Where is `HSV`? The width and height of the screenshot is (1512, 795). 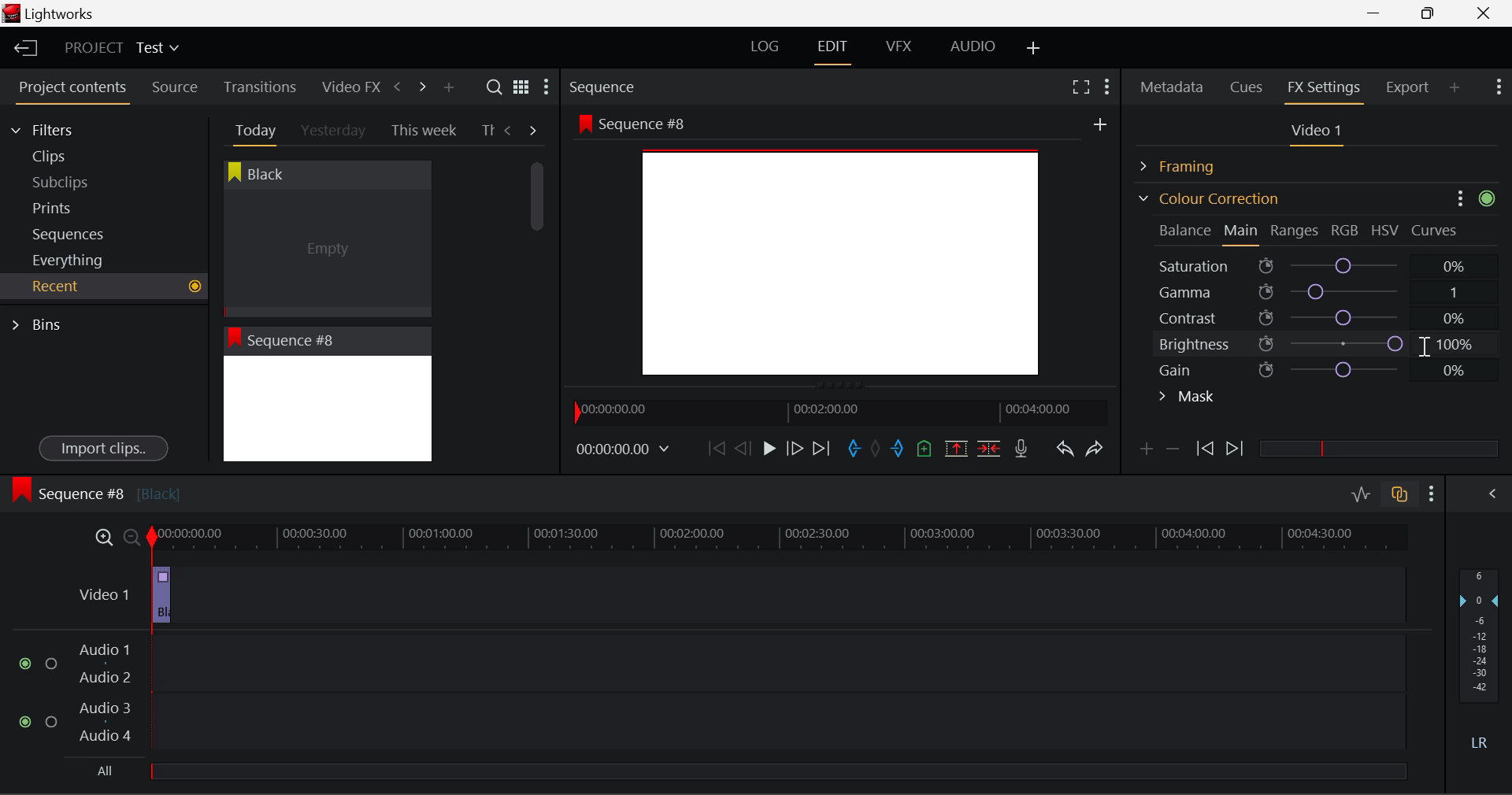
HSV is located at coordinates (1385, 230).